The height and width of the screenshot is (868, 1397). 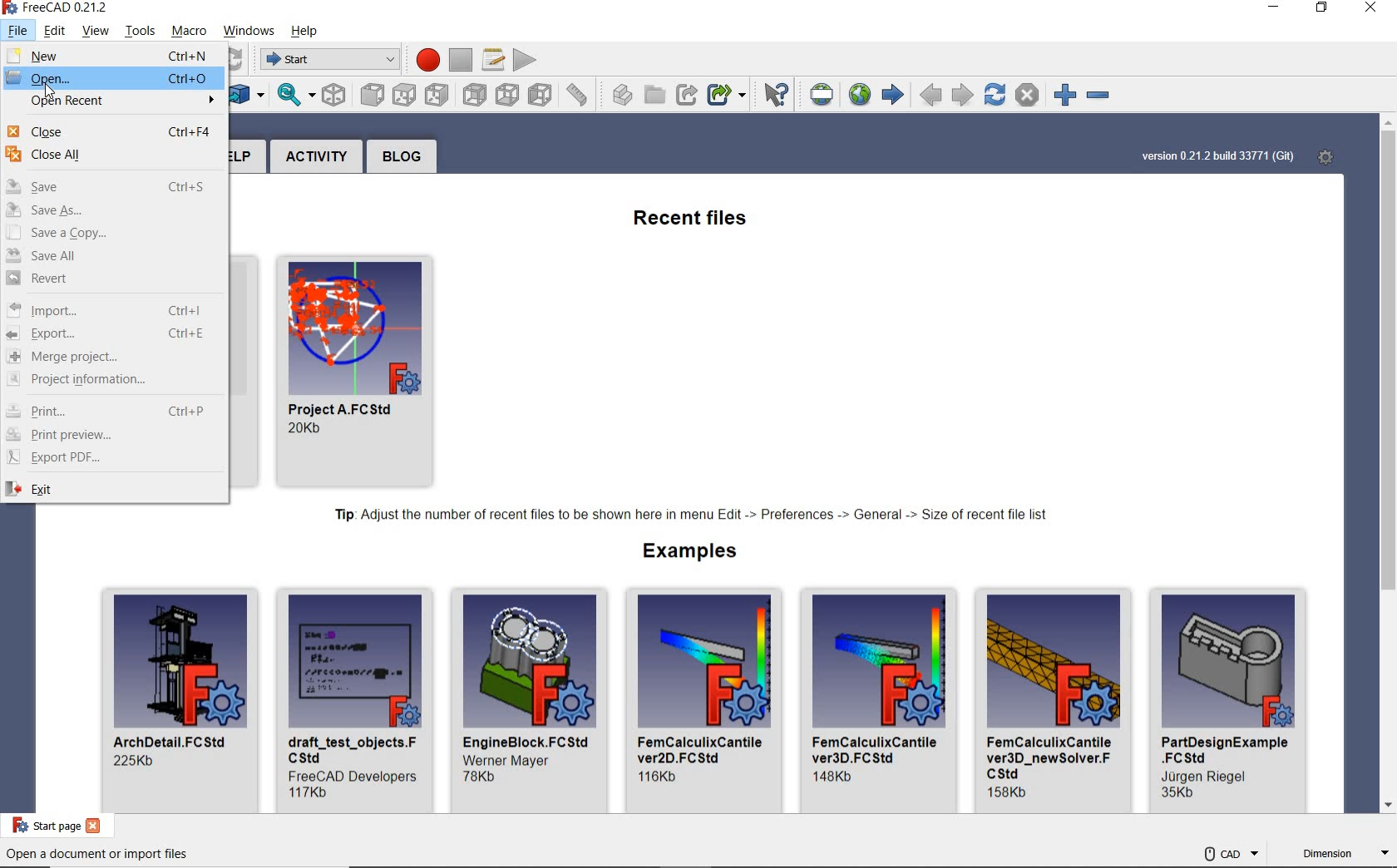 What do you see at coordinates (136, 762) in the screenshot?
I see `size` at bounding box center [136, 762].